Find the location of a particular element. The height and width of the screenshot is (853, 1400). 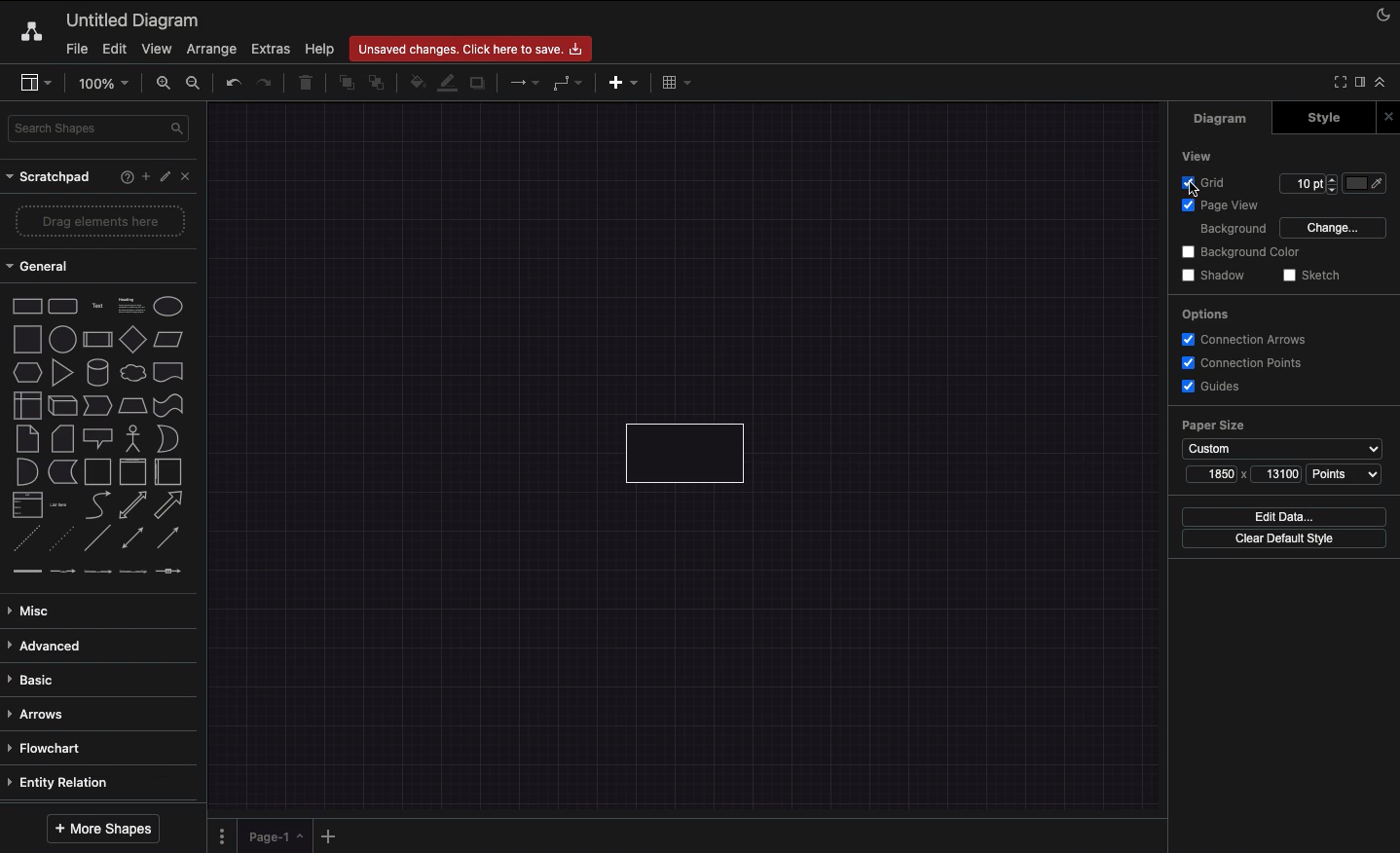

Entity relation  is located at coordinates (69, 784).